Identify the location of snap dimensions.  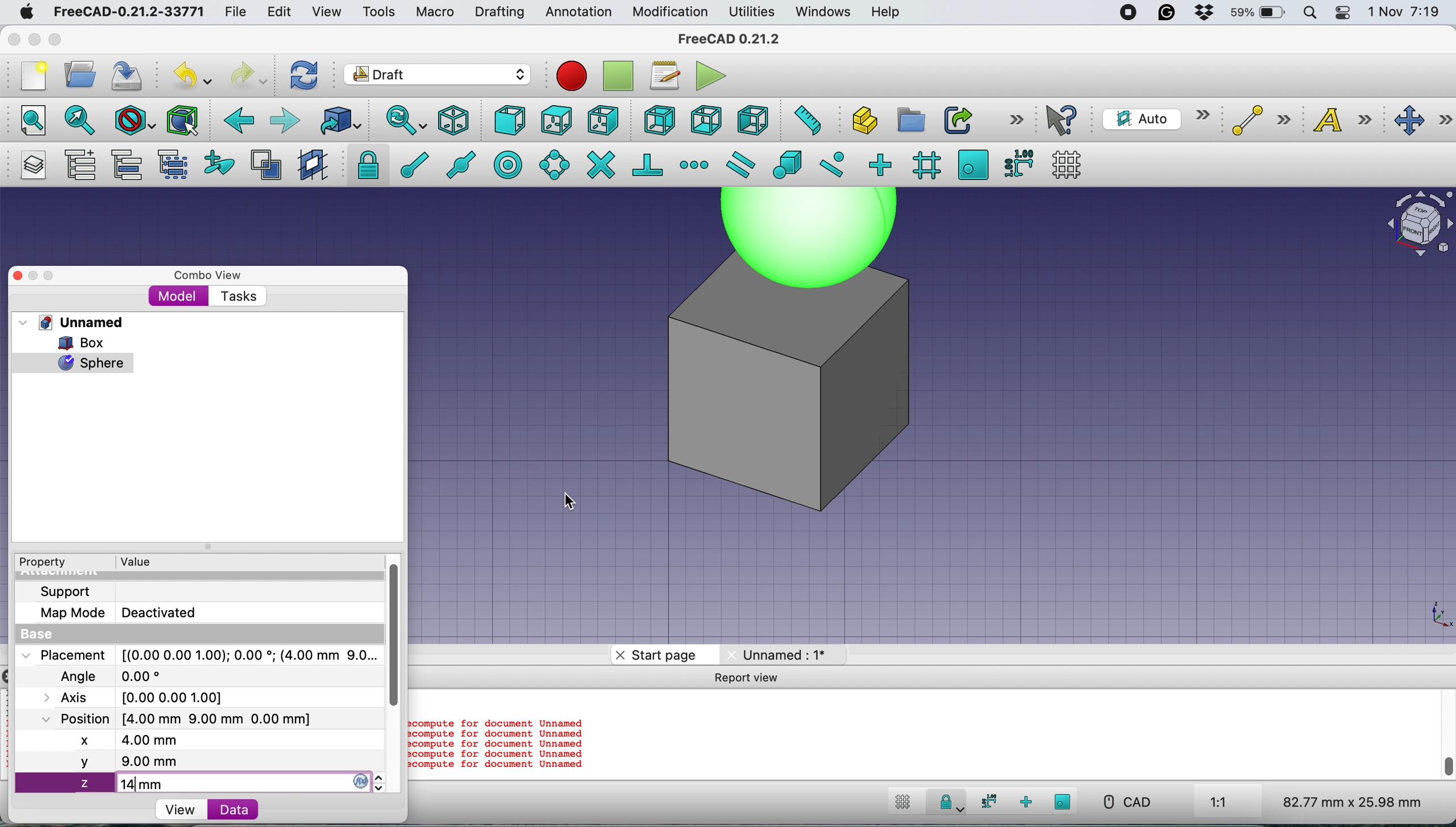
(986, 801).